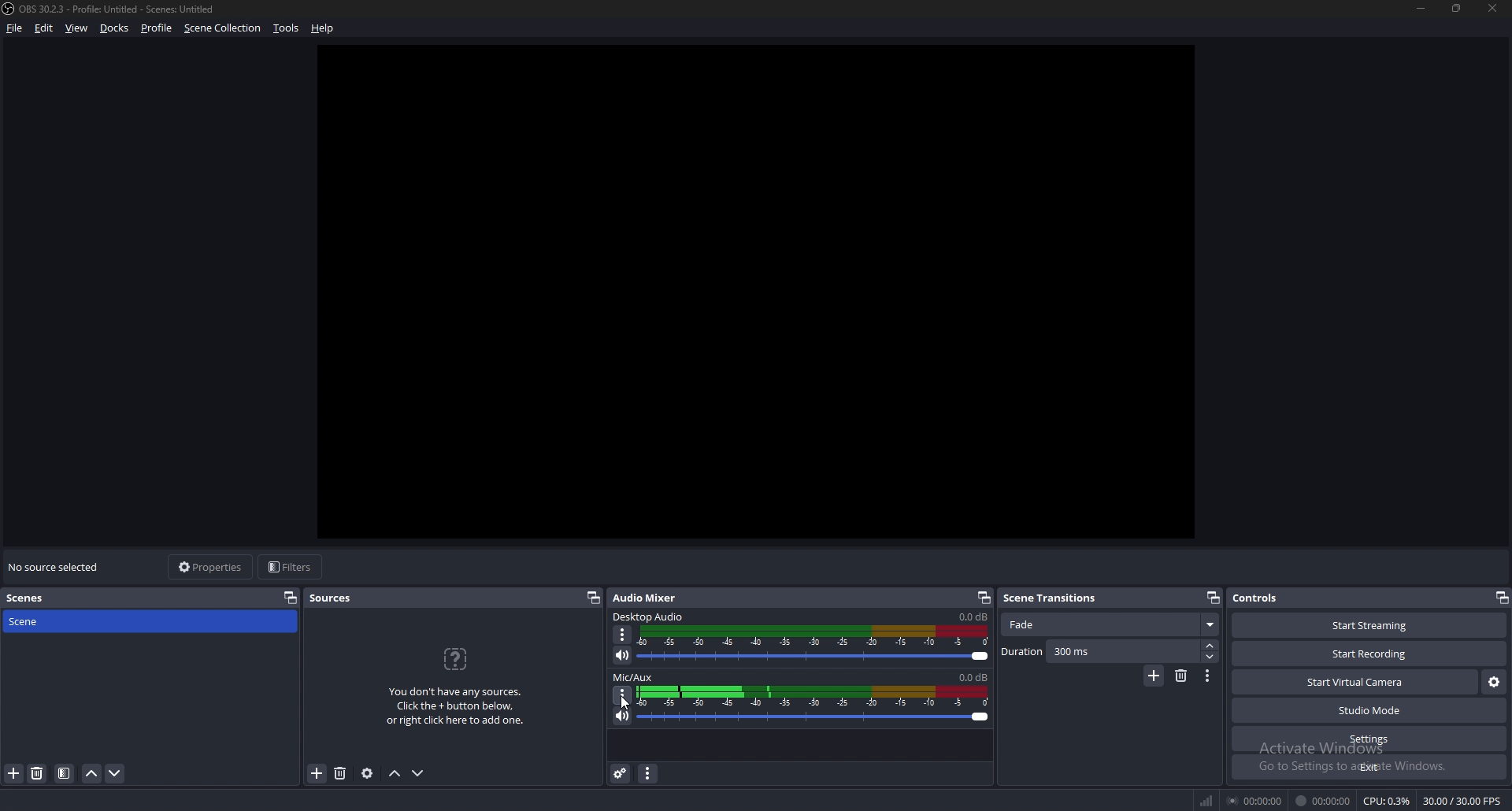  Describe the element at coordinates (1369, 626) in the screenshot. I see `start streaming` at that location.